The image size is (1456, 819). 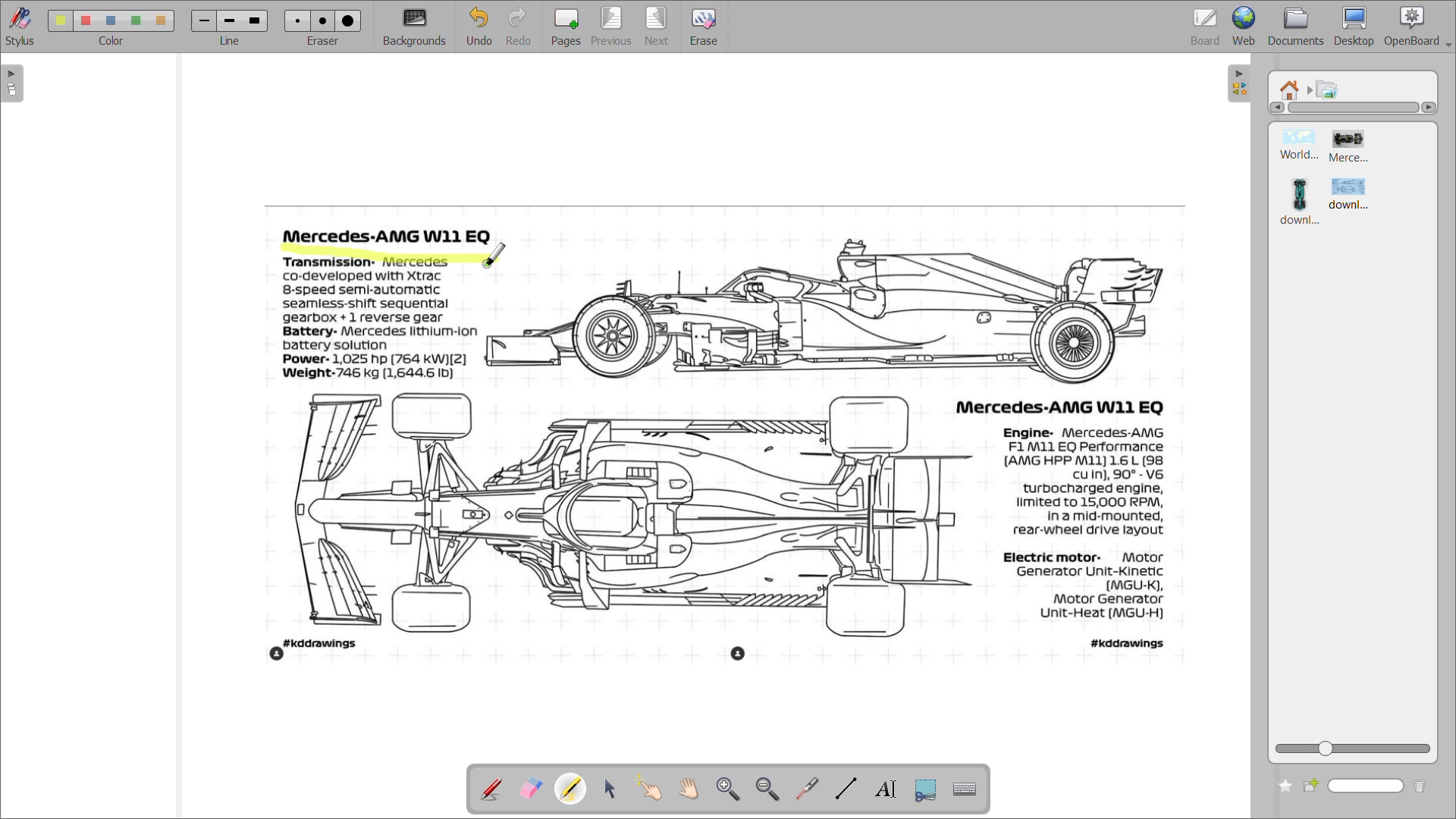 I want to click on write text, so click(x=885, y=789).